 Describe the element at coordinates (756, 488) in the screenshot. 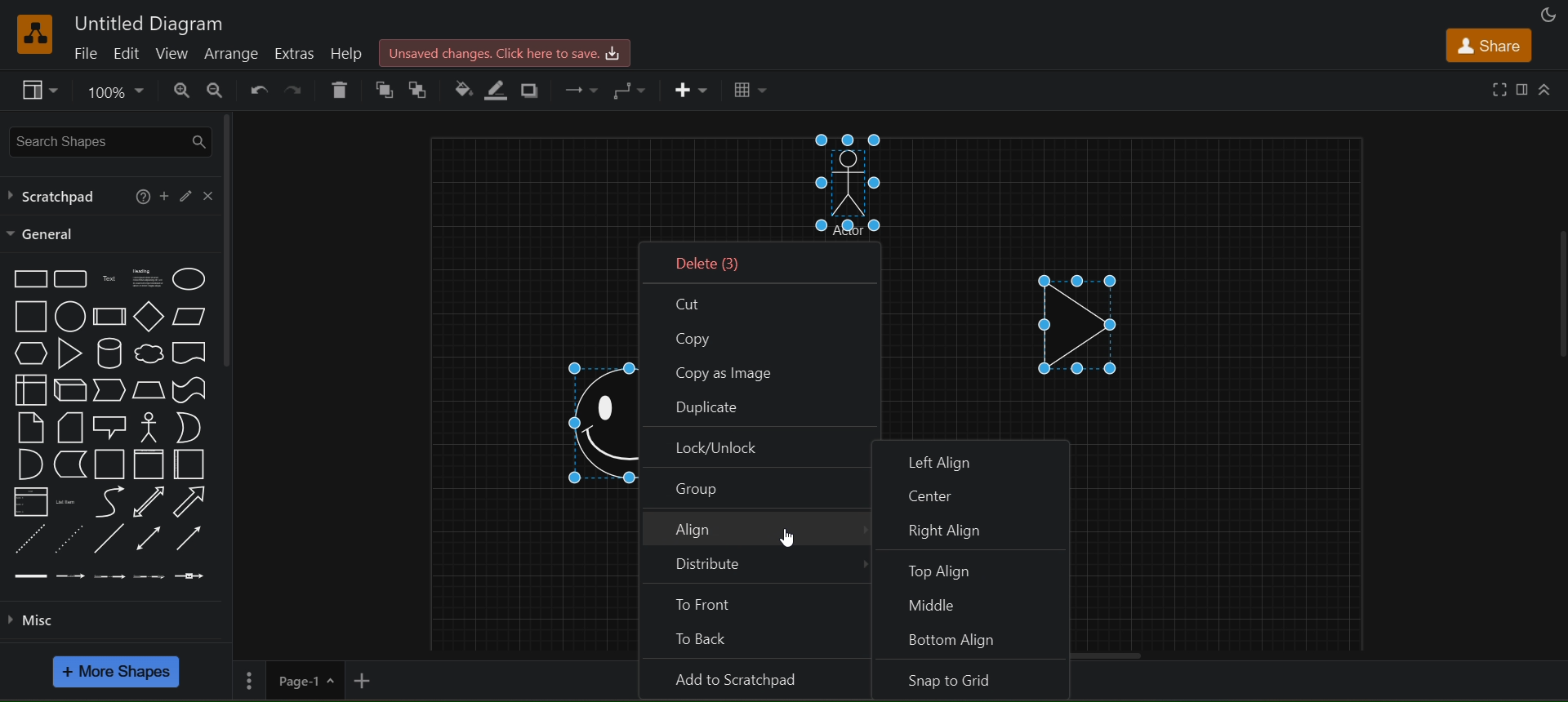

I see `goup` at that location.